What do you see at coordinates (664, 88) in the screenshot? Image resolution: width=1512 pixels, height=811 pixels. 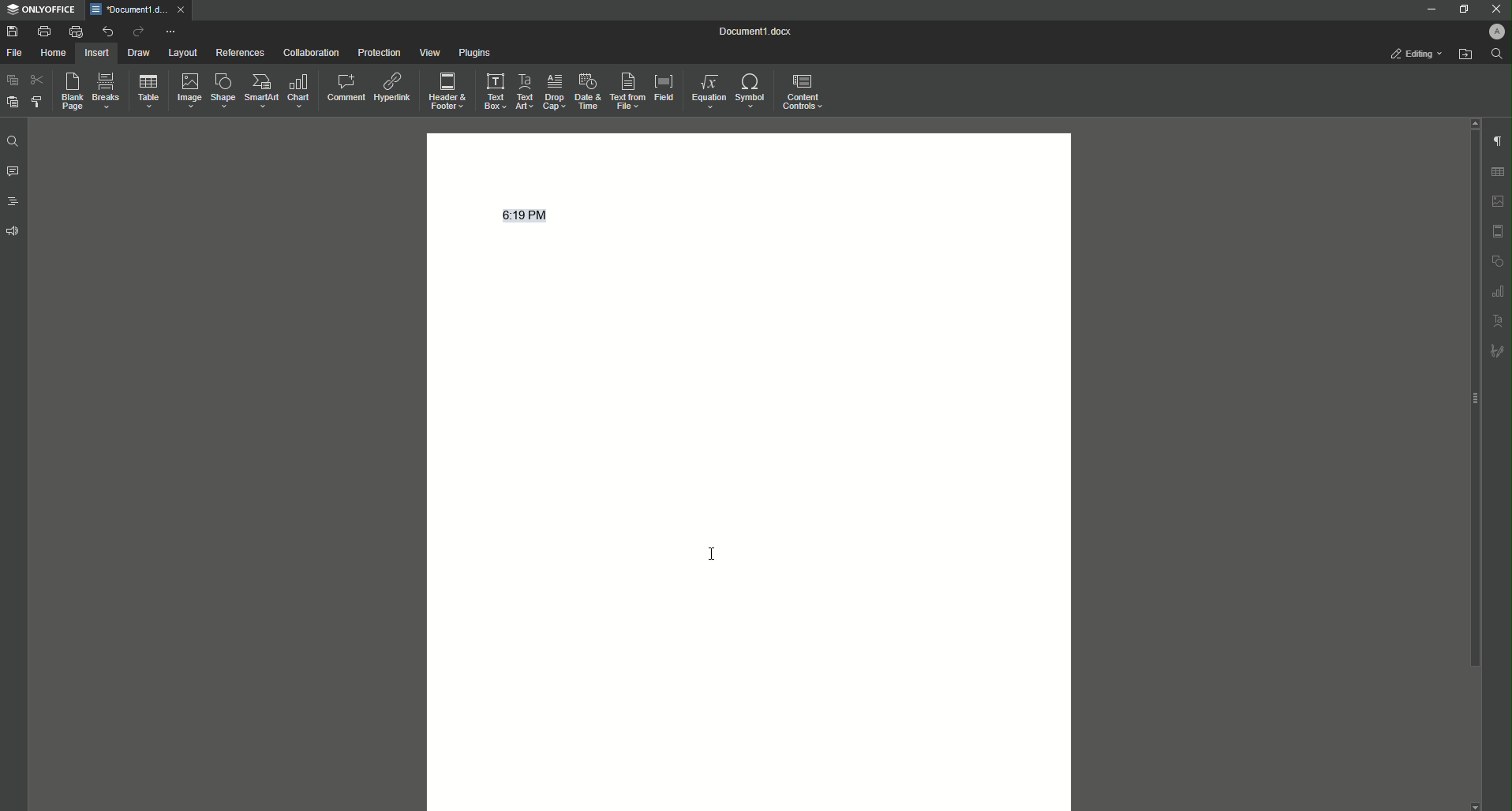 I see `Field` at bounding box center [664, 88].